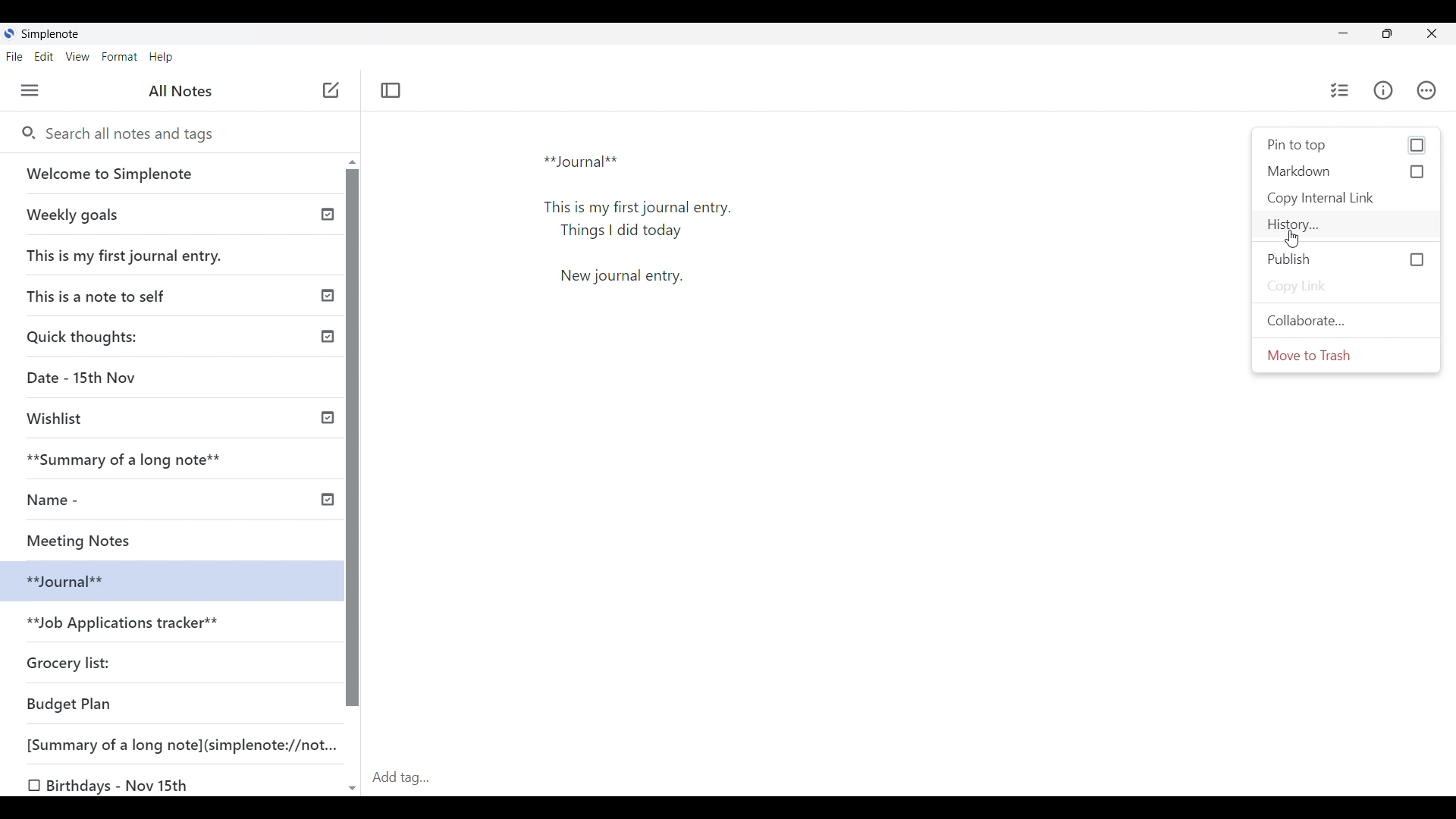  I want to click on Menu, so click(30, 90).